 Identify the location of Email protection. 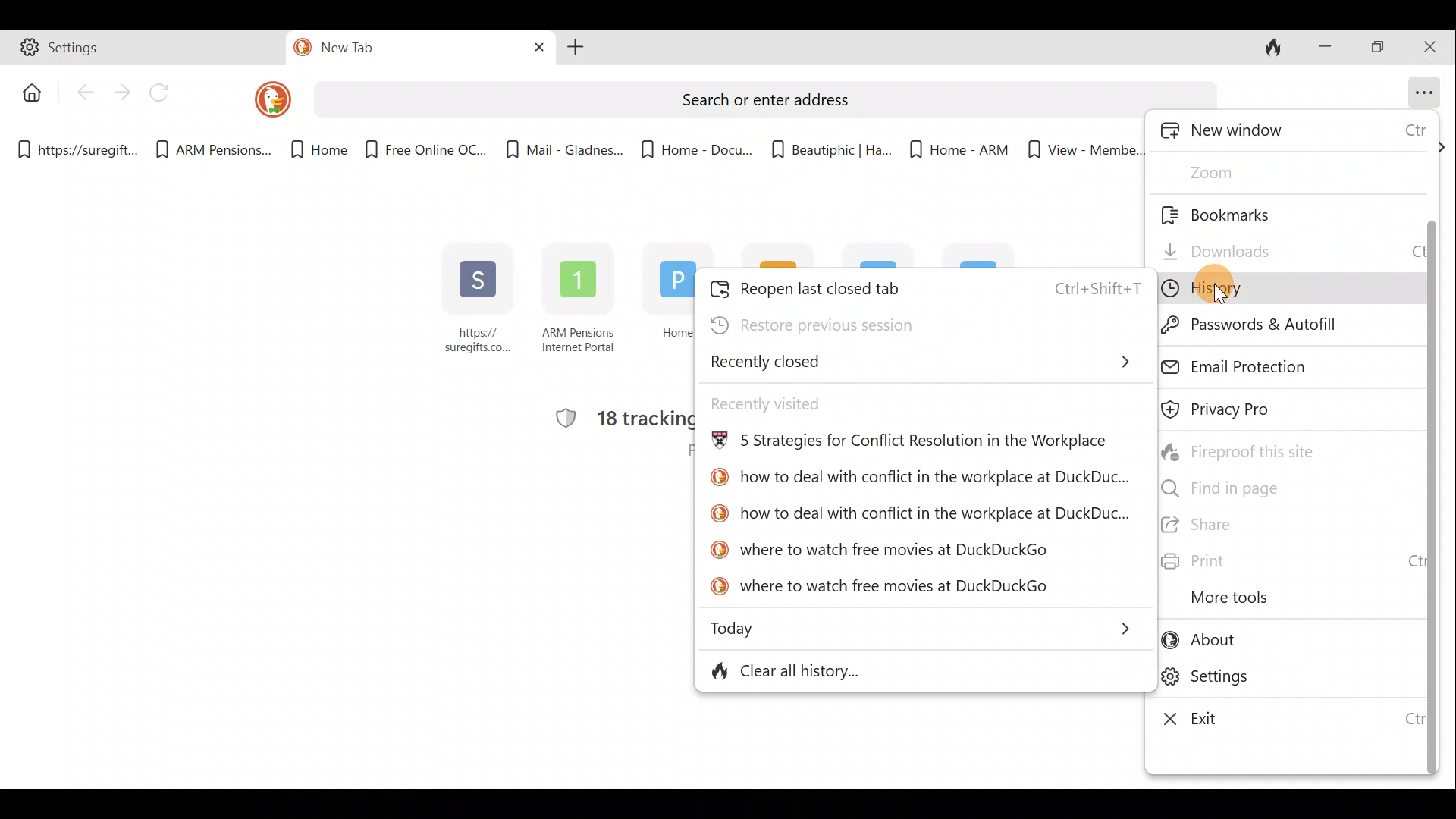
(1278, 364).